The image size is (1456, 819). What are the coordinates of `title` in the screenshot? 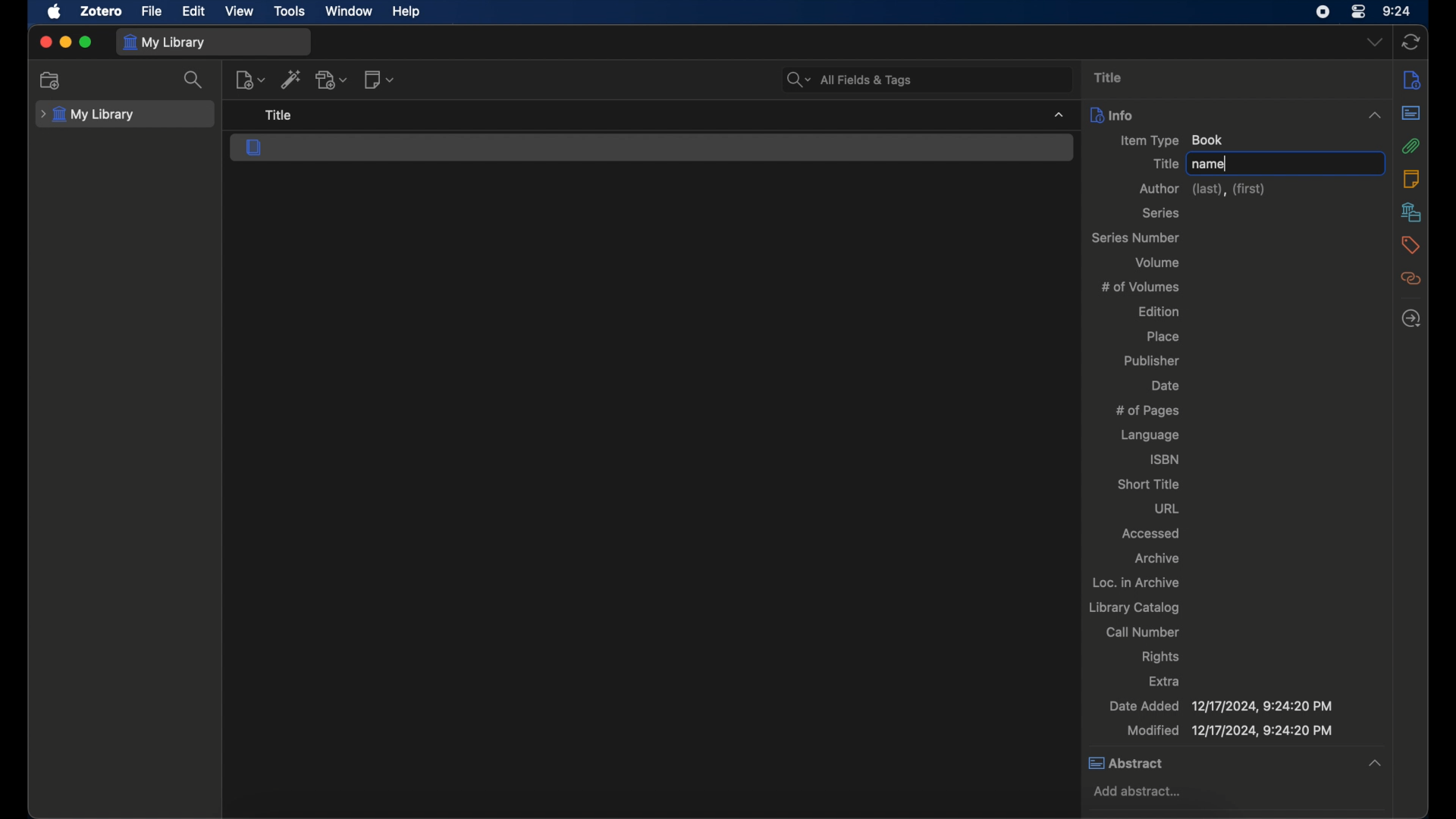 It's located at (1113, 77).